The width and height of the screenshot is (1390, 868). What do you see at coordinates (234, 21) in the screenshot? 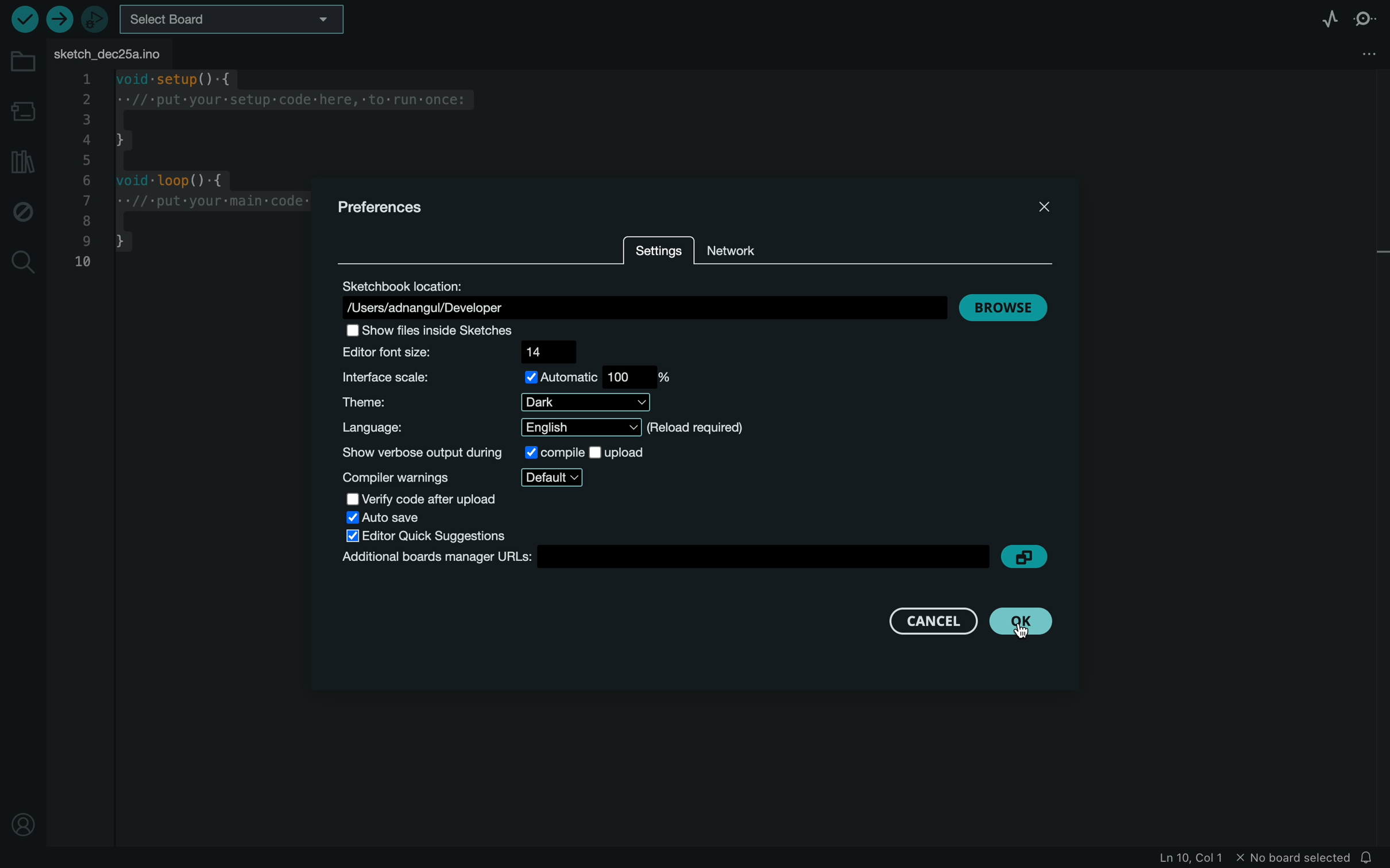
I see `board  selecter` at bounding box center [234, 21].